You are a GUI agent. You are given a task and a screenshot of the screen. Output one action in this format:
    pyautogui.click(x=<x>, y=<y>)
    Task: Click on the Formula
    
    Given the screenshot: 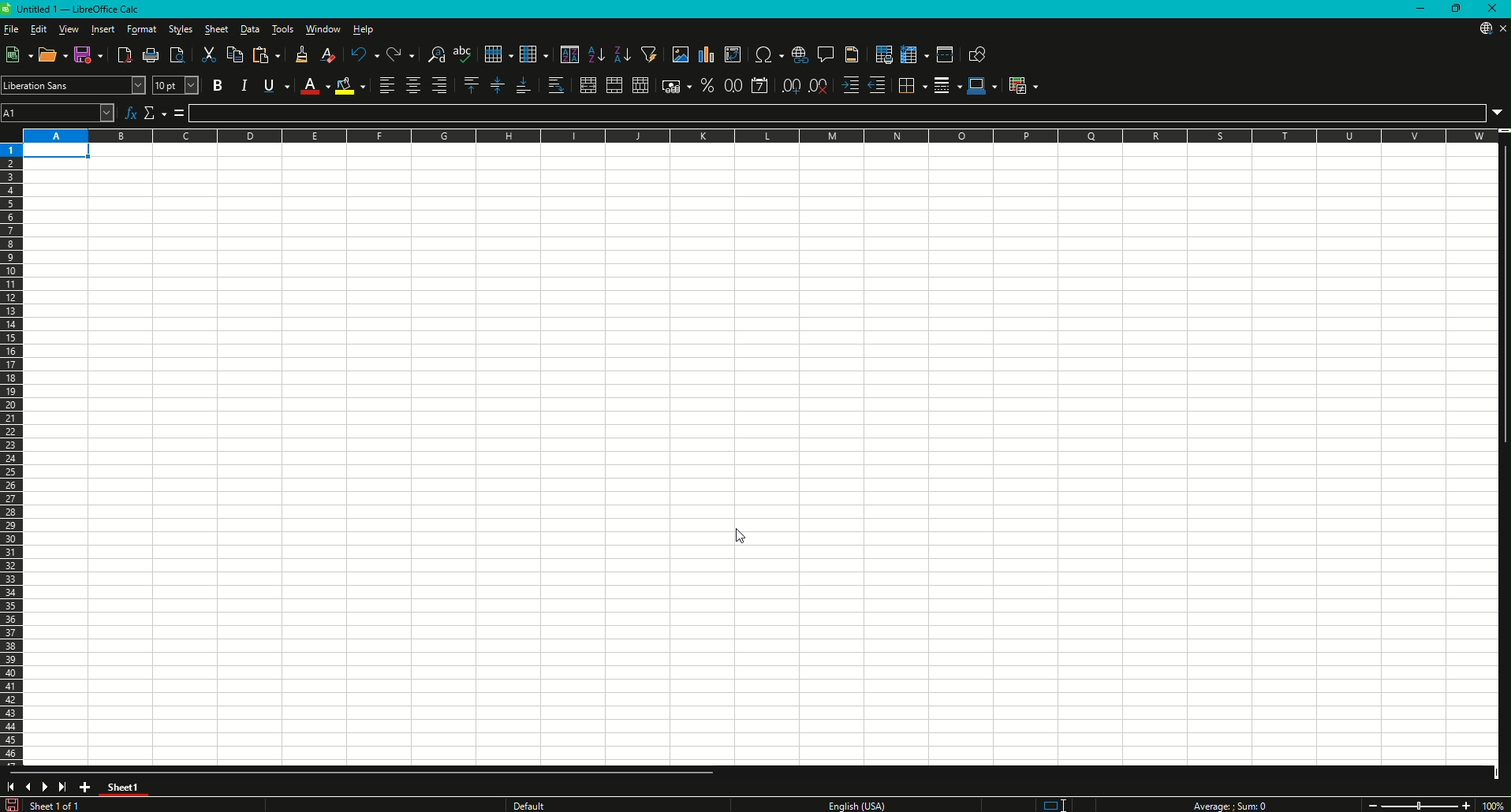 What is the action you would take?
    pyautogui.click(x=837, y=114)
    